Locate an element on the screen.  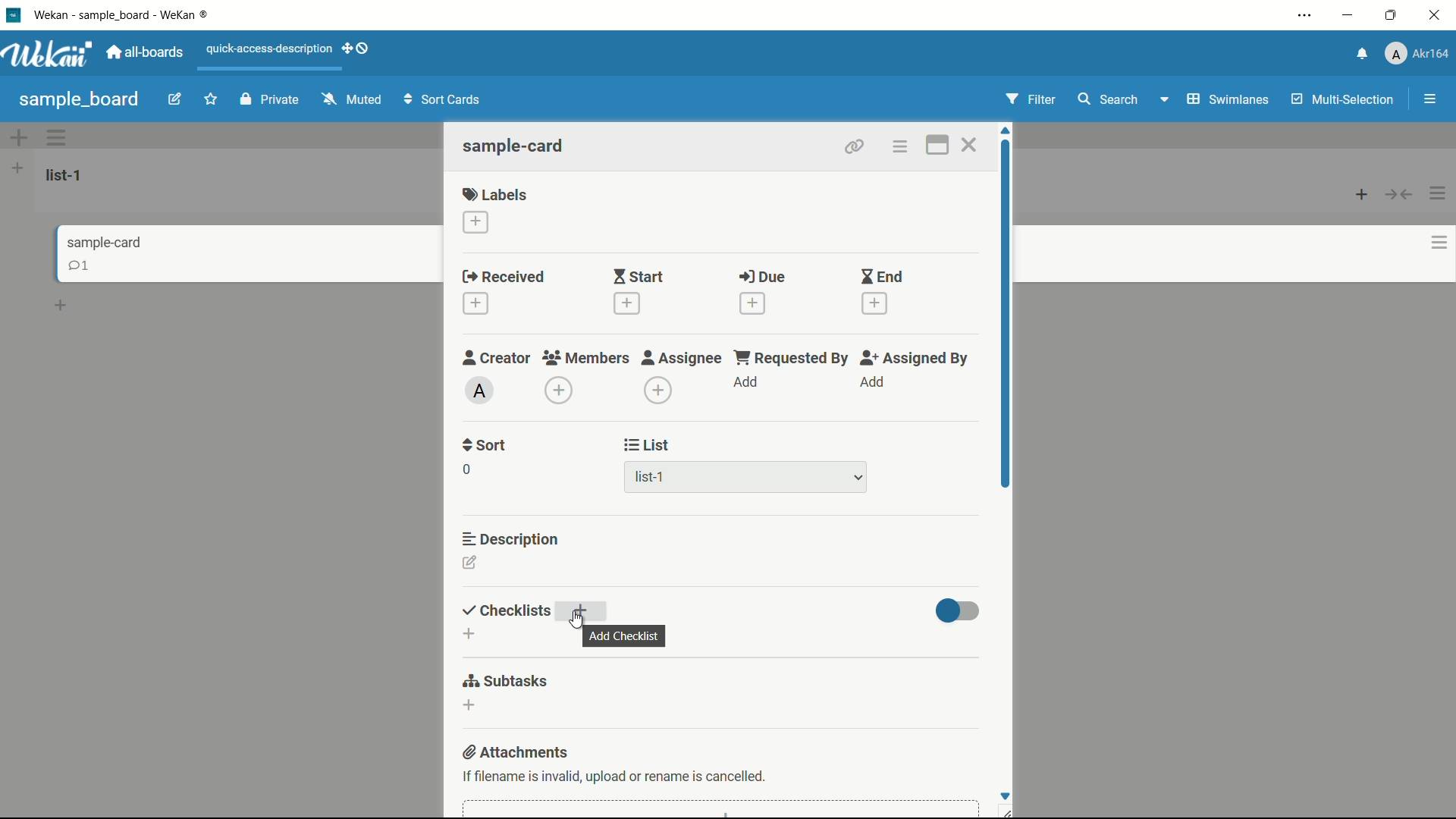
close app is located at coordinates (1438, 16).